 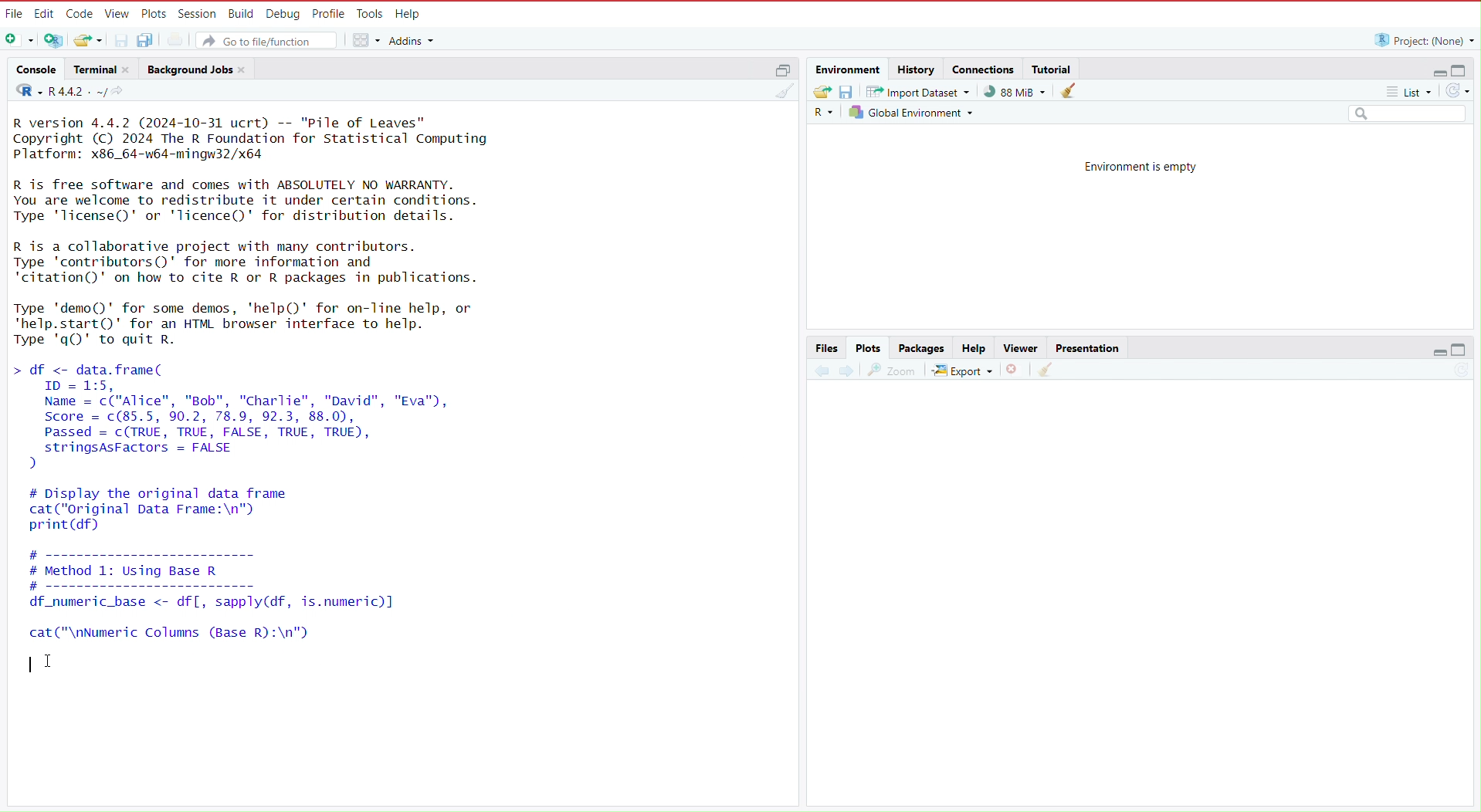 I want to click on connections, so click(x=983, y=67).